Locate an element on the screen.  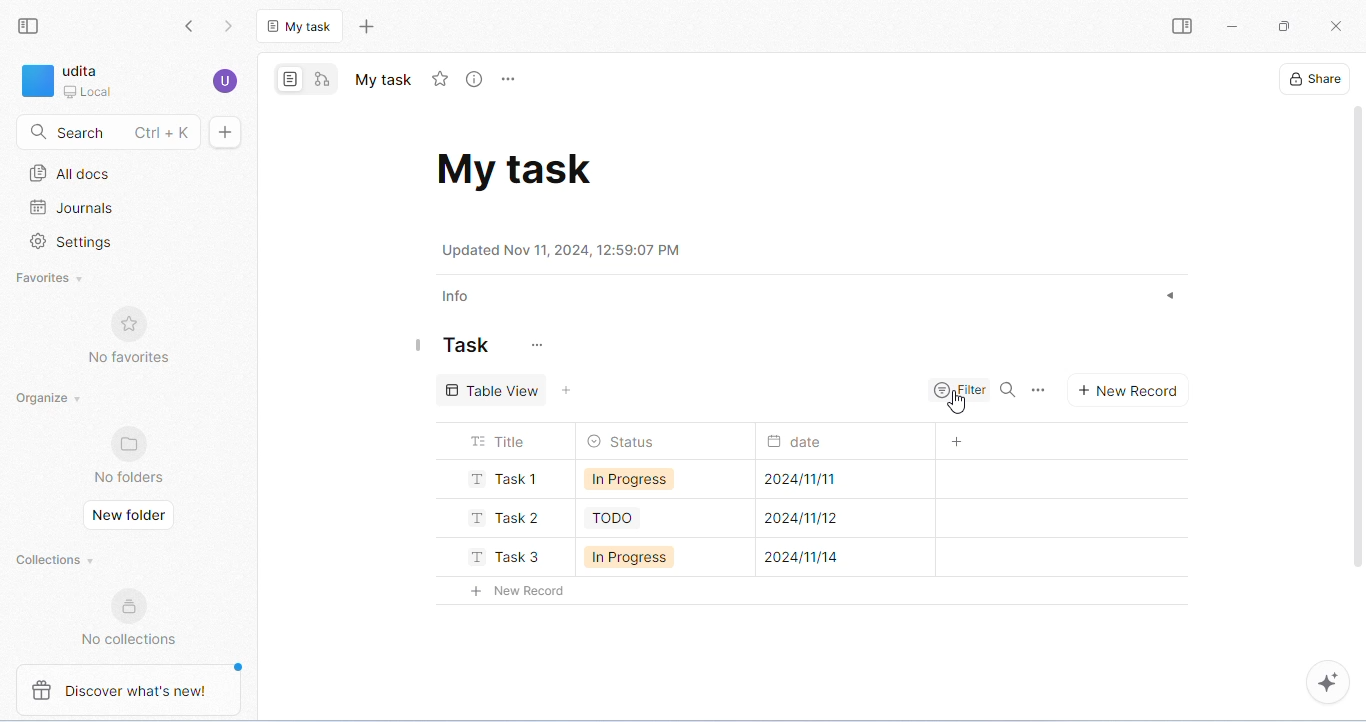
search is located at coordinates (1013, 391).